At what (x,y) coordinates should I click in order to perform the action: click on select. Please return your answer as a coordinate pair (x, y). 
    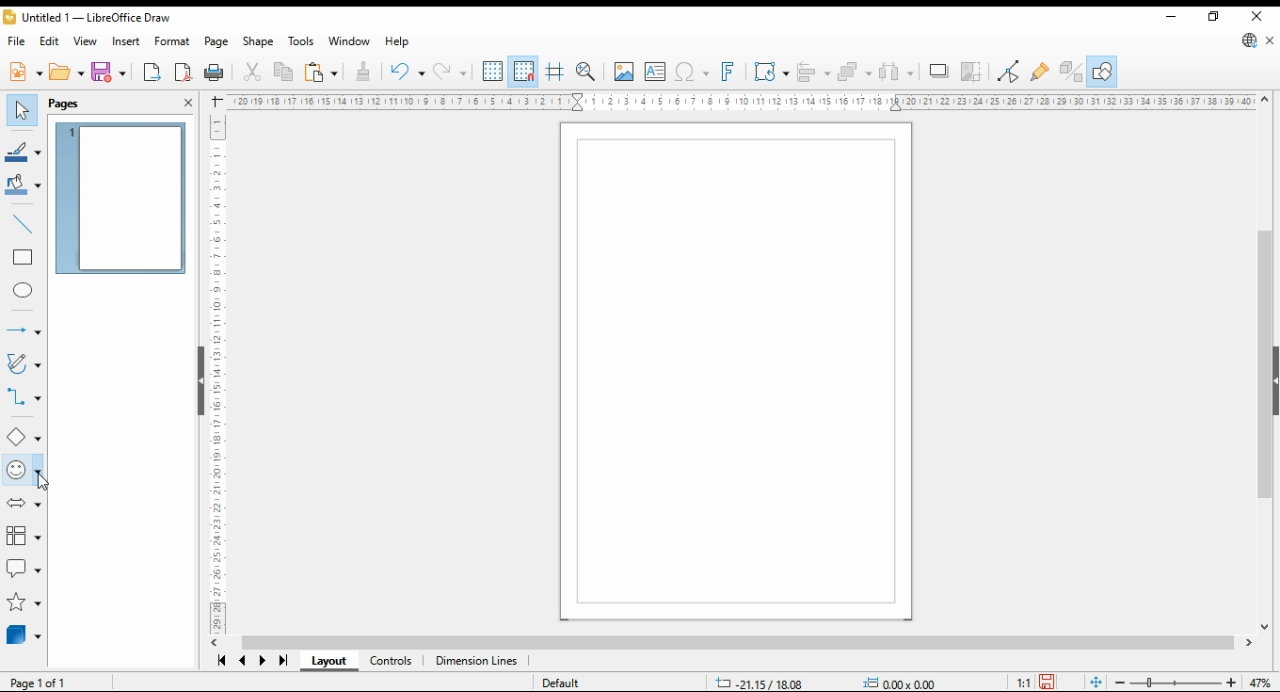
    Looking at the image, I should click on (22, 109).